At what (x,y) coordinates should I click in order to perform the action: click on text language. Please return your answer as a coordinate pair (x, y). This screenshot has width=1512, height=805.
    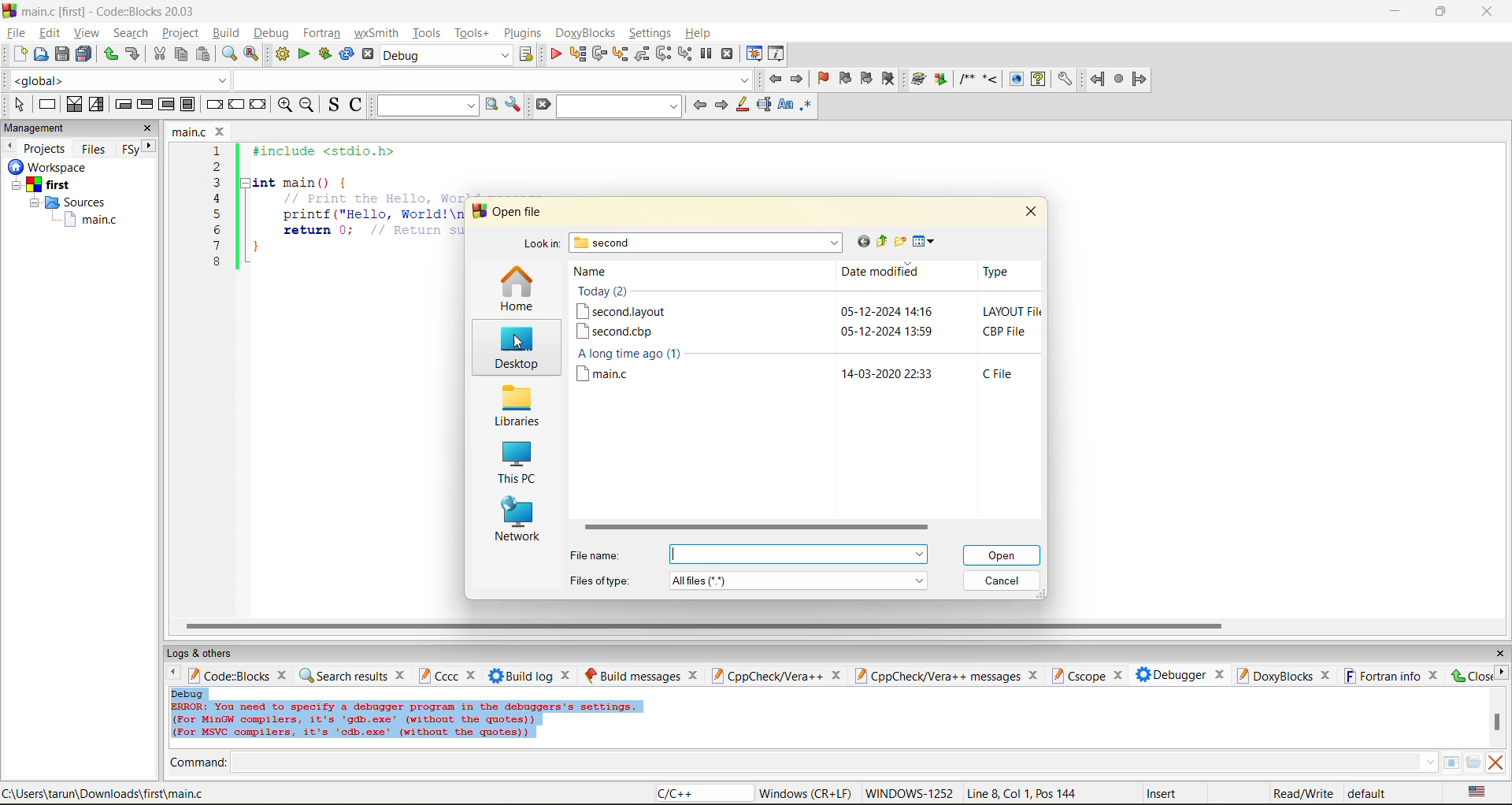
    Looking at the image, I should click on (1478, 792).